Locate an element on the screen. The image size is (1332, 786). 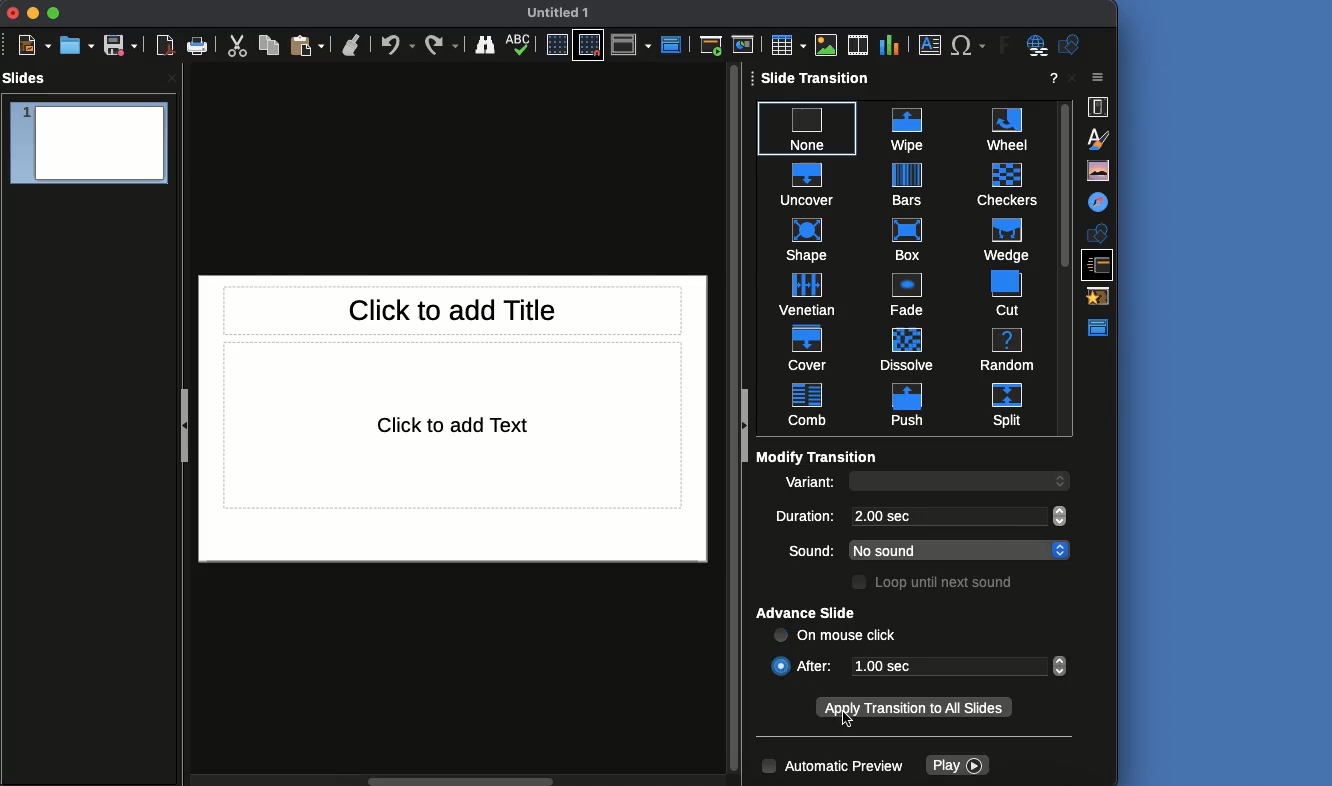
wheel is located at coordinates (1000, 127).